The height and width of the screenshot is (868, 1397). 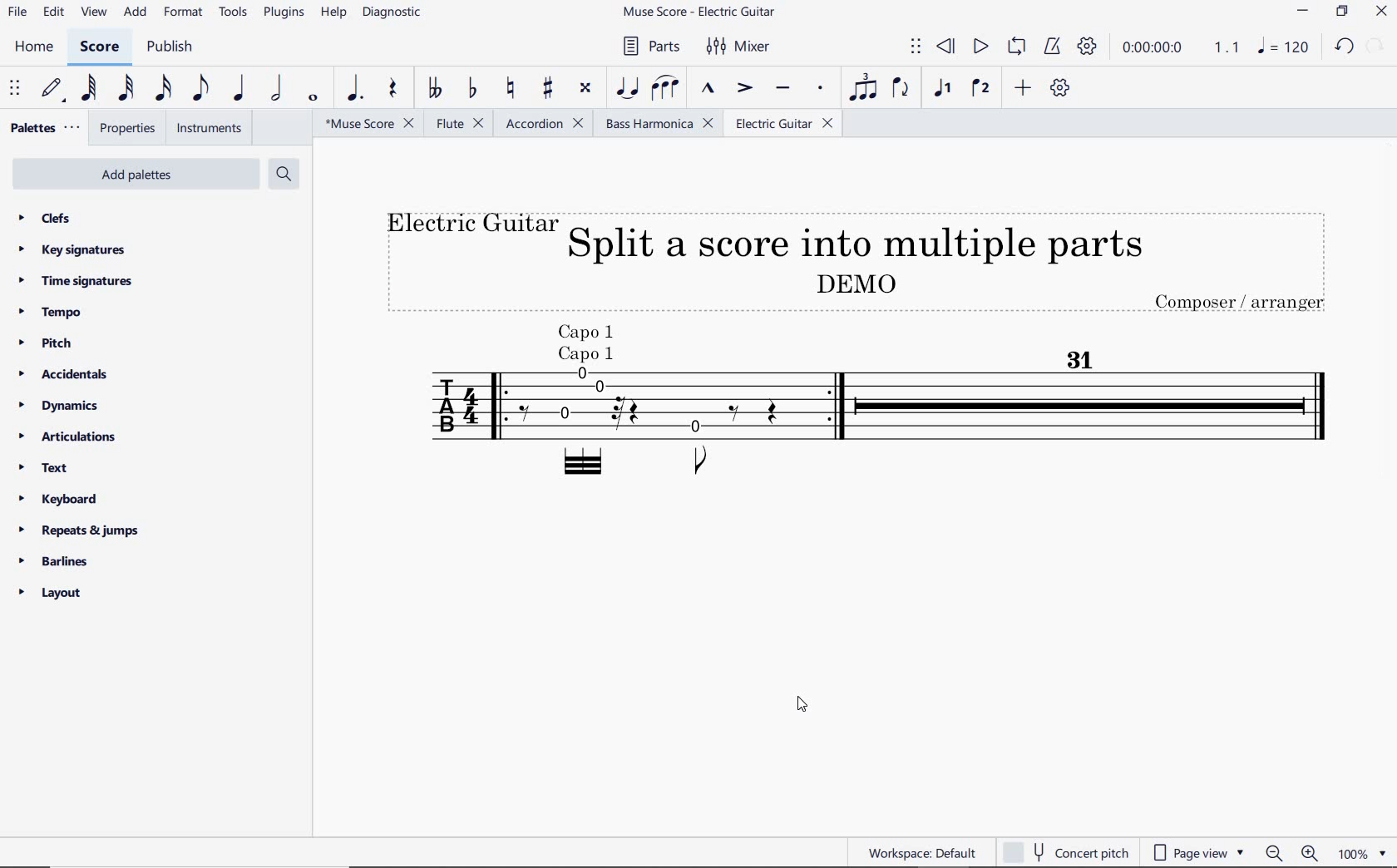 I want to click on customize toolbar, so click(x=1060, y=89).